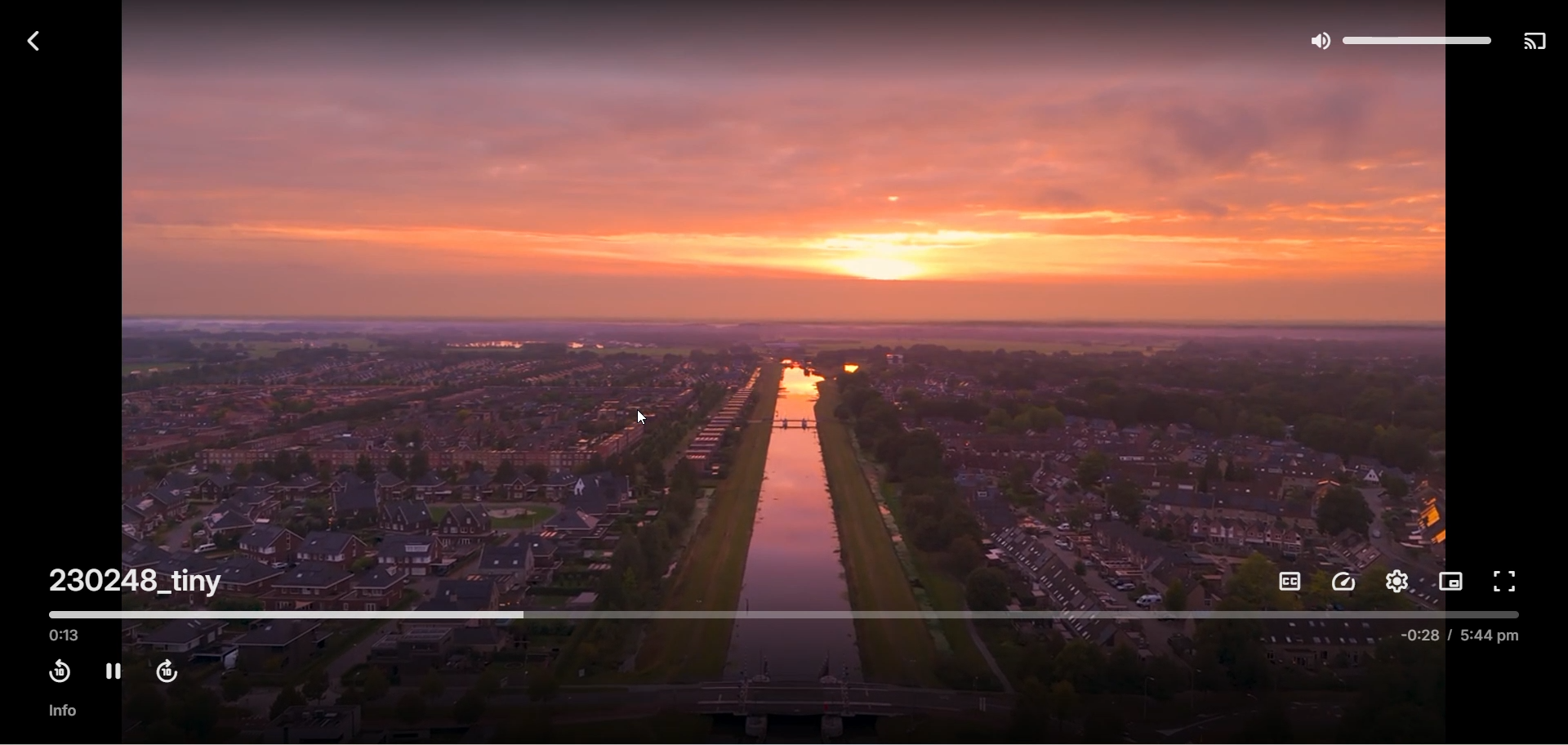 This screenshot has width=1568, height=745. What do you see at coordinates (138, 580) in the screenshot?
I see `230248_tiny` at bounding box center [138, 580].